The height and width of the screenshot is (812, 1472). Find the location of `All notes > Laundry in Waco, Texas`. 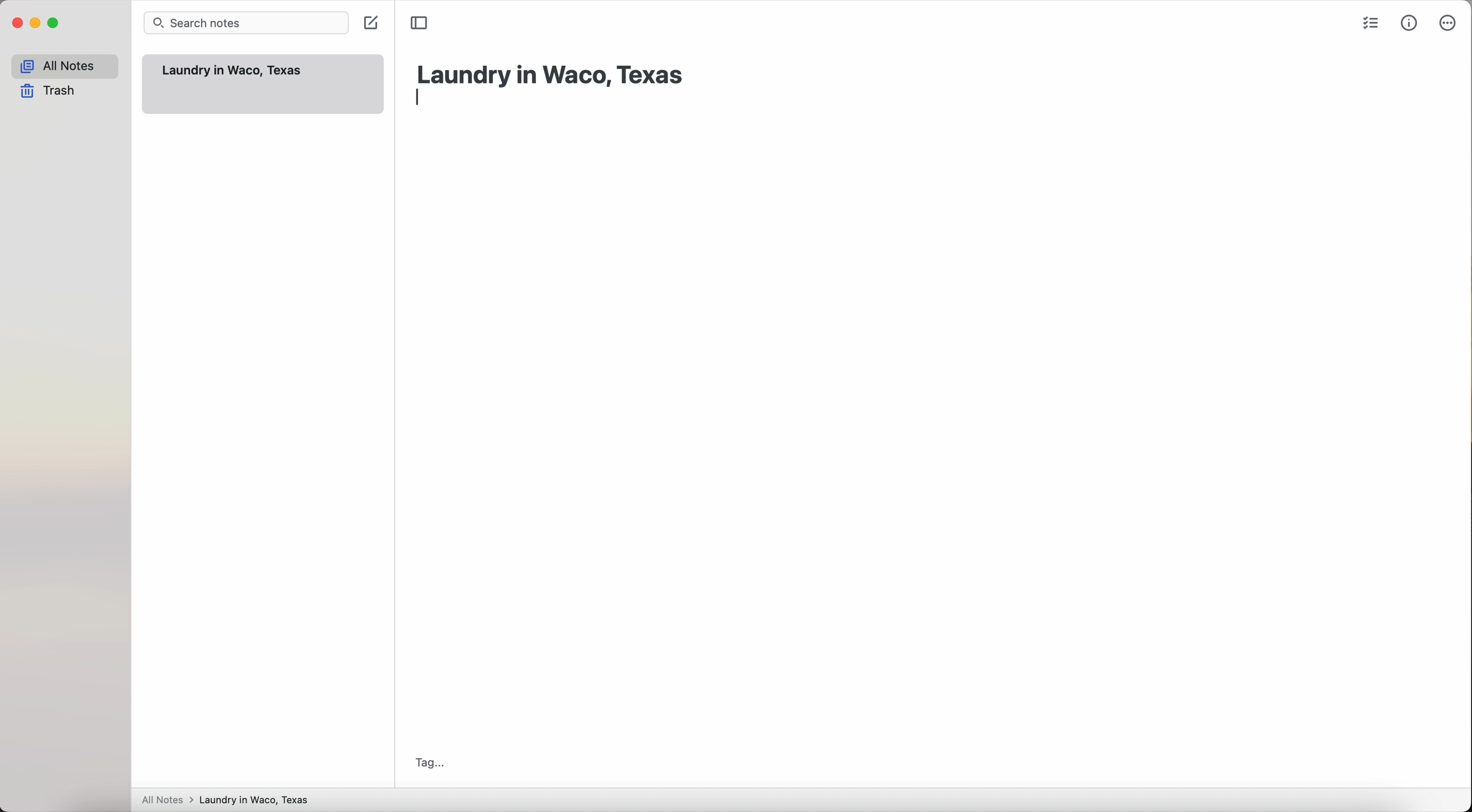

All notes > Laundry in Waco, Texas is located at coordinates (230, 801).